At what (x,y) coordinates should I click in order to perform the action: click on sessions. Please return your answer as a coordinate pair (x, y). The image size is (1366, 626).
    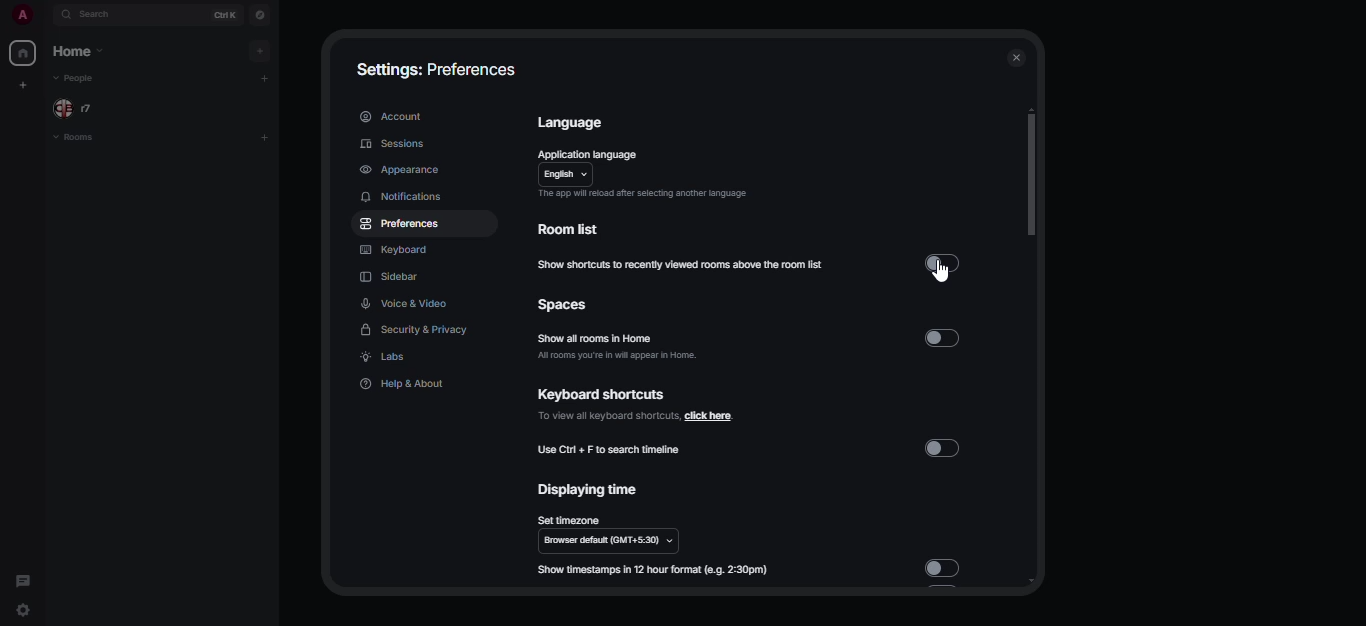
    Looking at the image, I should click on (393, 144).